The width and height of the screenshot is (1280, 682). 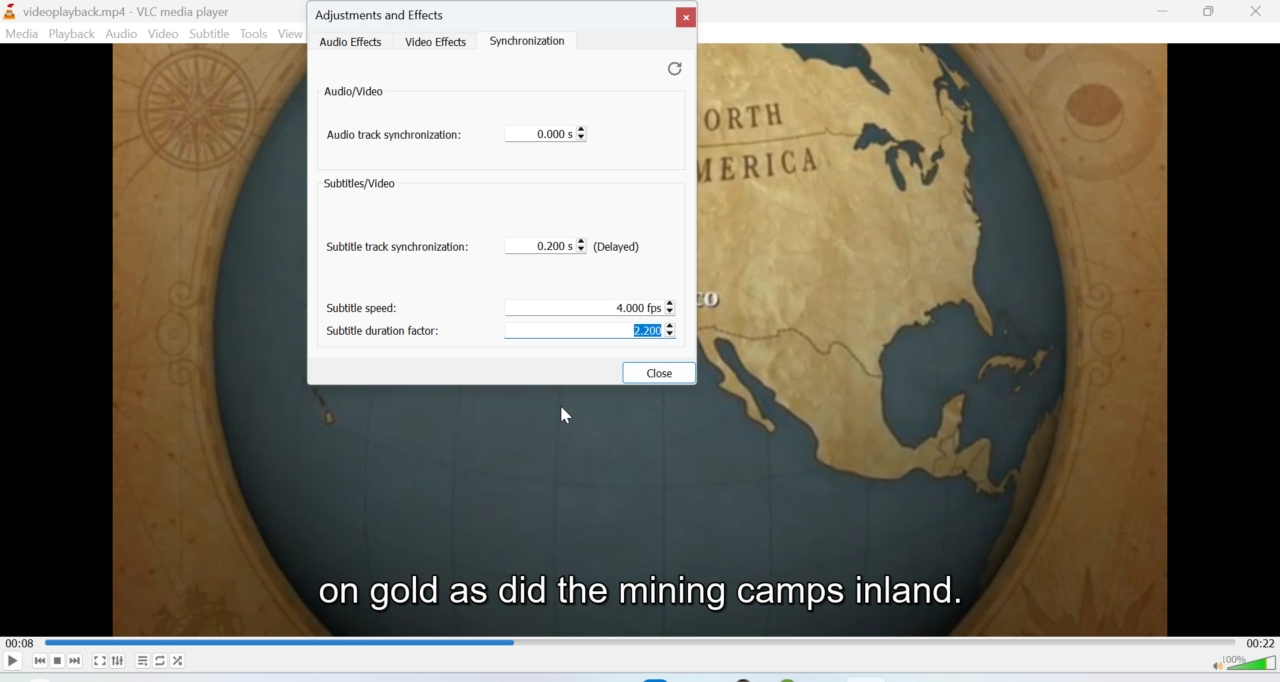 I want to click on Tools, so click(x=254, y=33).